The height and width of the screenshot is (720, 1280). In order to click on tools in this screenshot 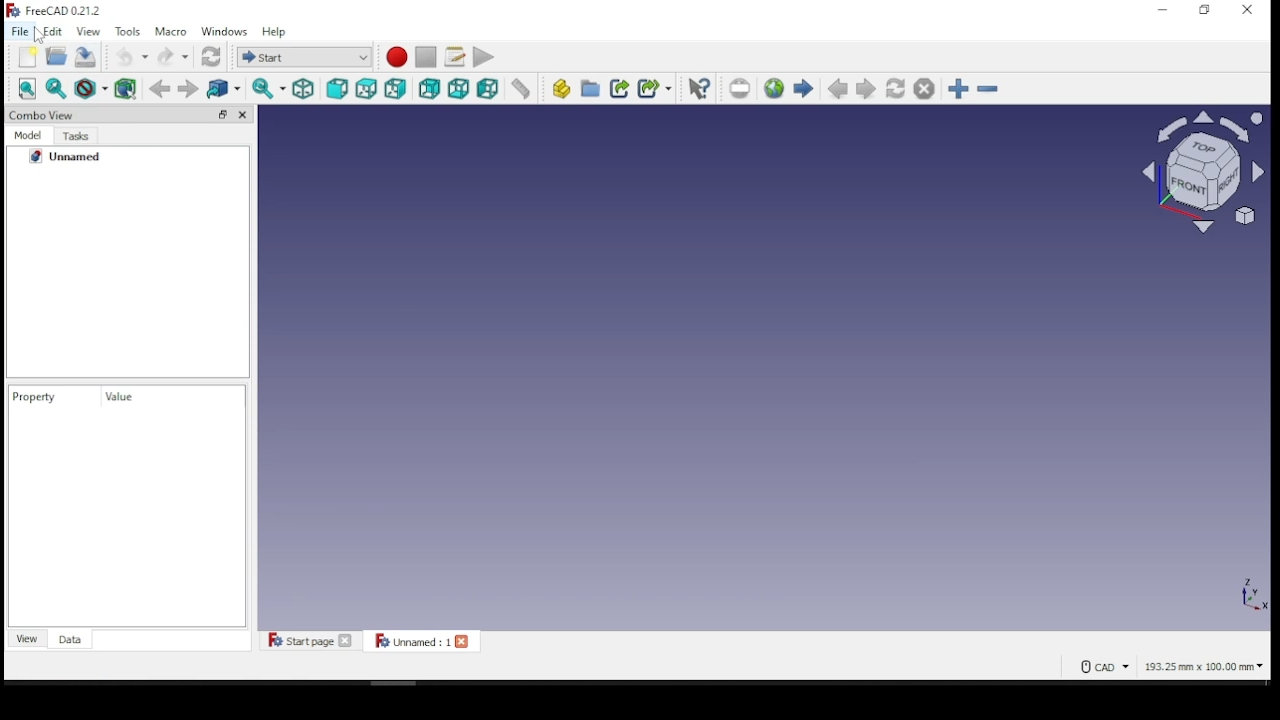, I will do `click(126, 31)`.